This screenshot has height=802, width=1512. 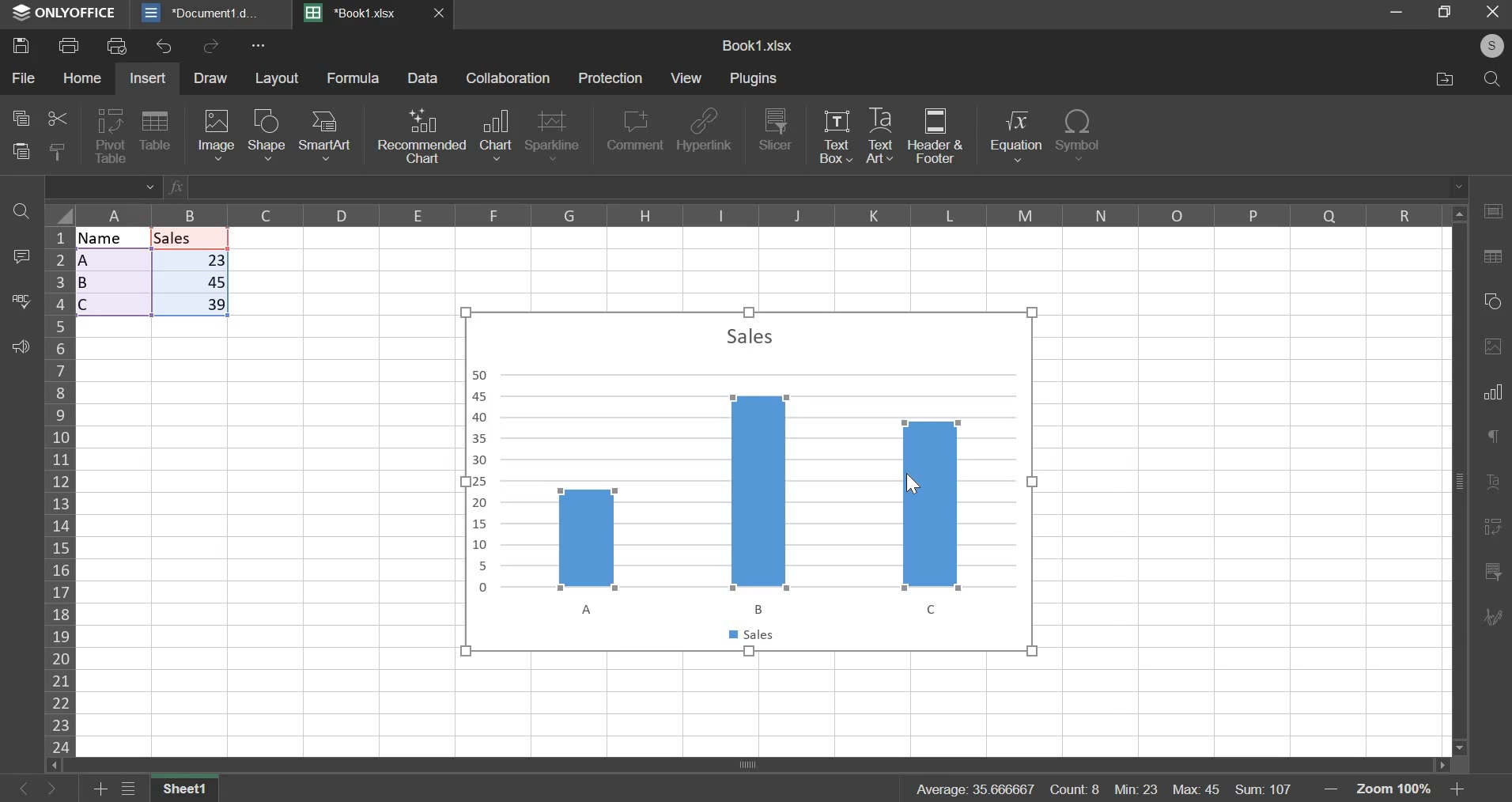 I want to click on rows, so click(x=61, y=490).